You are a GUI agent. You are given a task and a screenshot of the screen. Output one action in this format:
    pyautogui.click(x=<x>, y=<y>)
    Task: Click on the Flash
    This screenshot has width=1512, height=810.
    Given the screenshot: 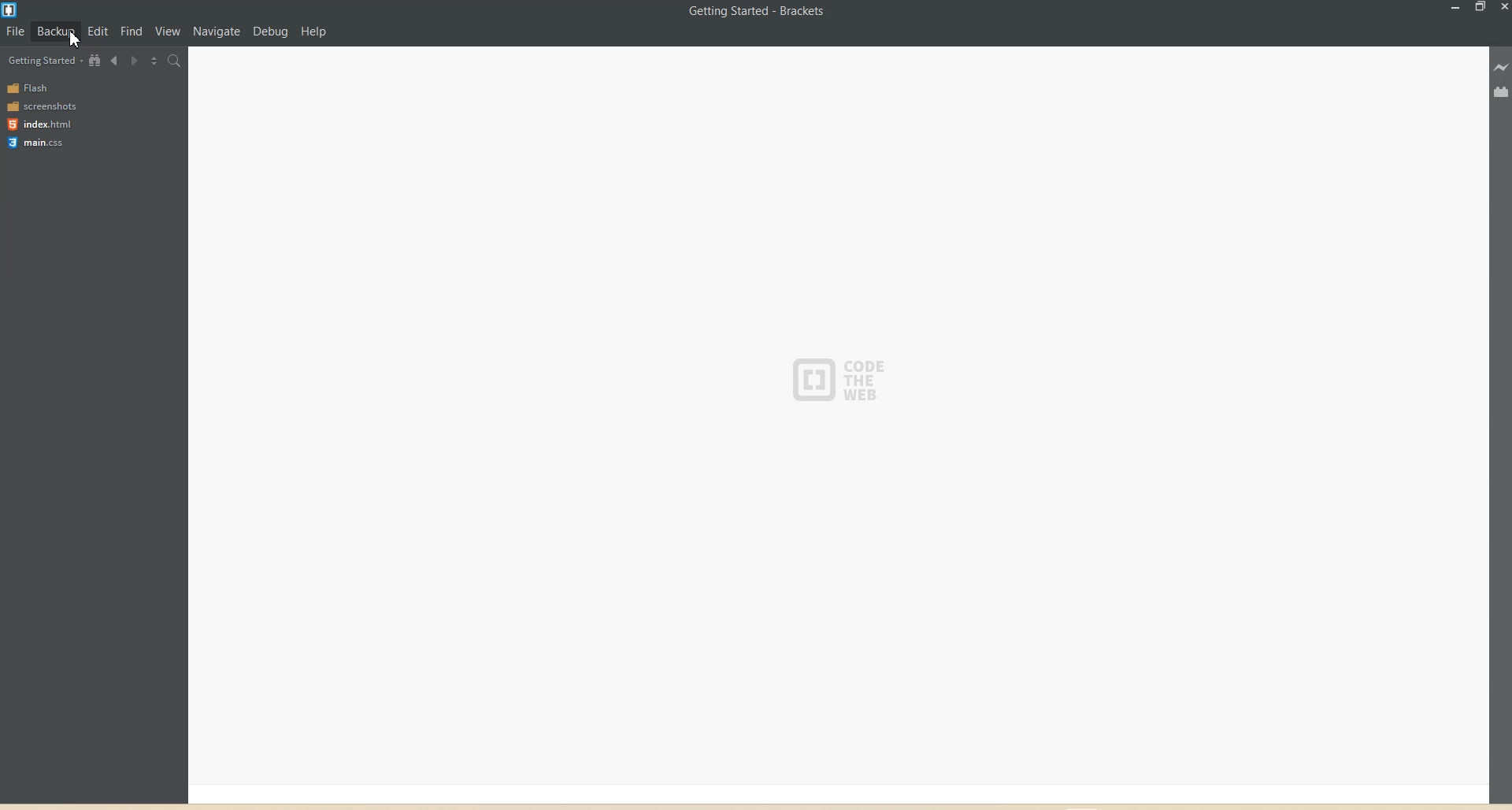 What is the action you would take?
    pyautogui.click(x=31, y=87)
    